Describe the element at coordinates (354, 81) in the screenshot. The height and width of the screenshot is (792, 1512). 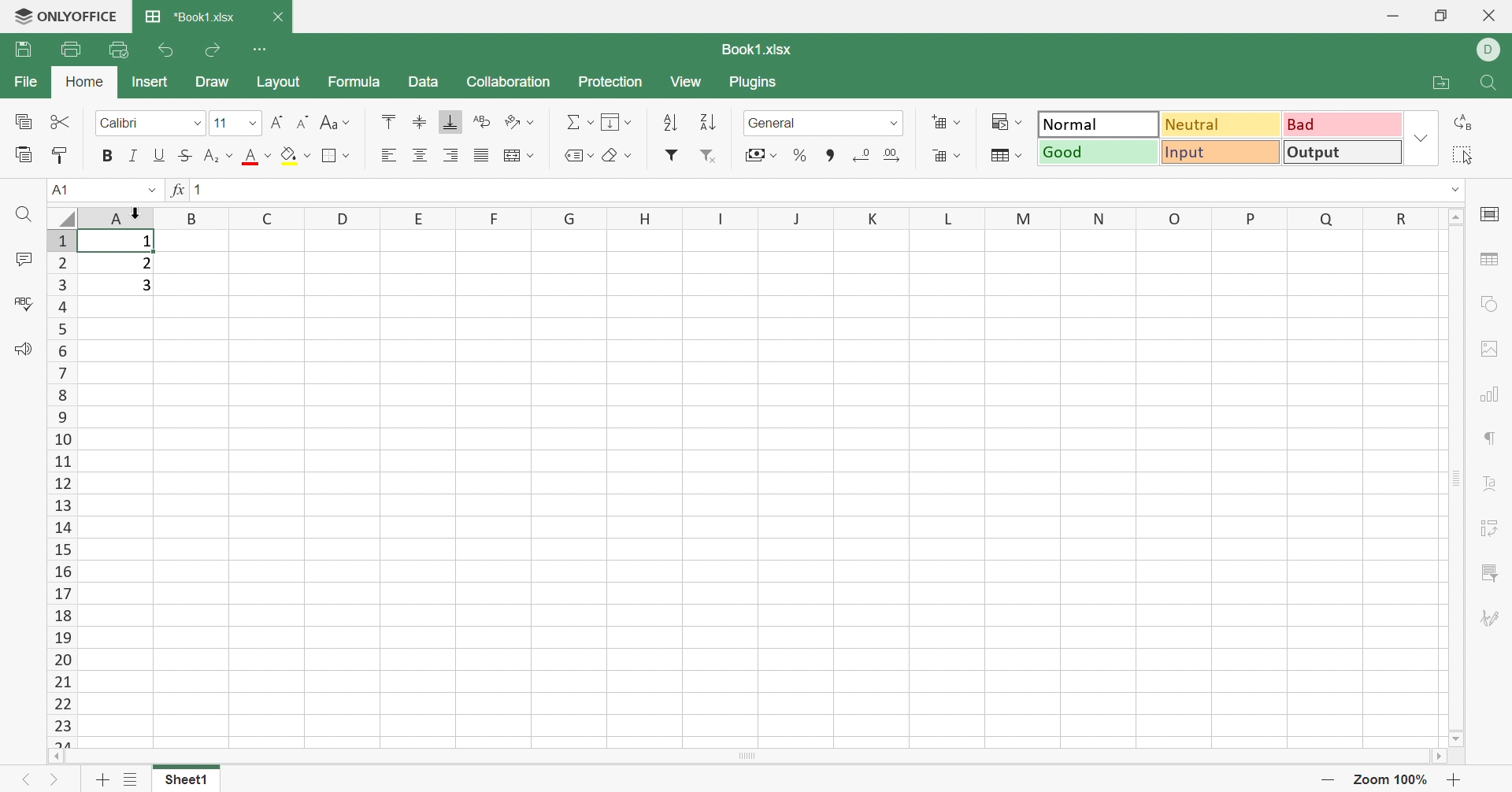
I see `Formula` at that location.